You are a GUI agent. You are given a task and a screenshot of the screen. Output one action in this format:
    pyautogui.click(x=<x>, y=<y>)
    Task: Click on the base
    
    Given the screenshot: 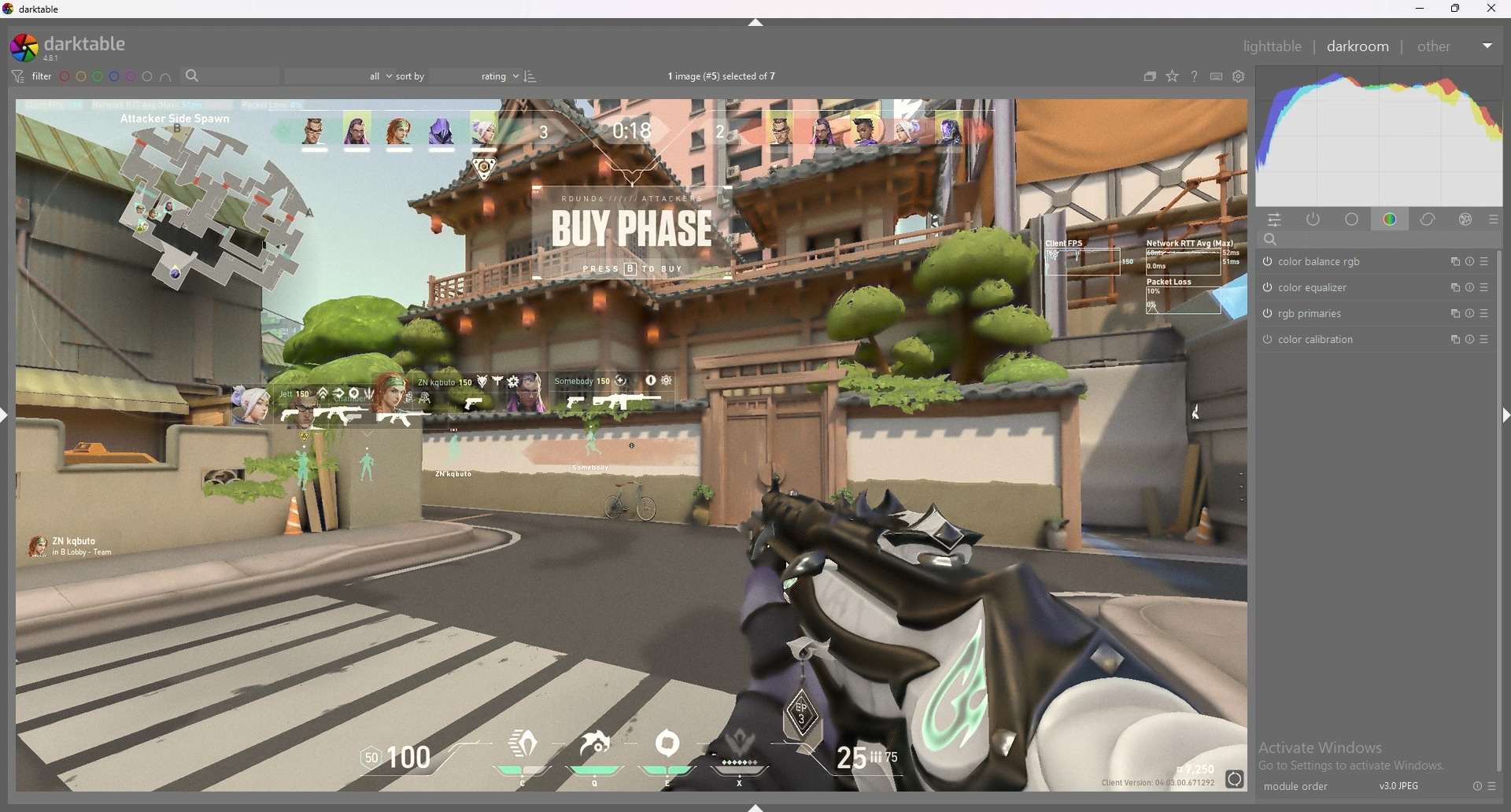 What is the action you would take?
    pyautogui.click(x=1353, y=220)
    